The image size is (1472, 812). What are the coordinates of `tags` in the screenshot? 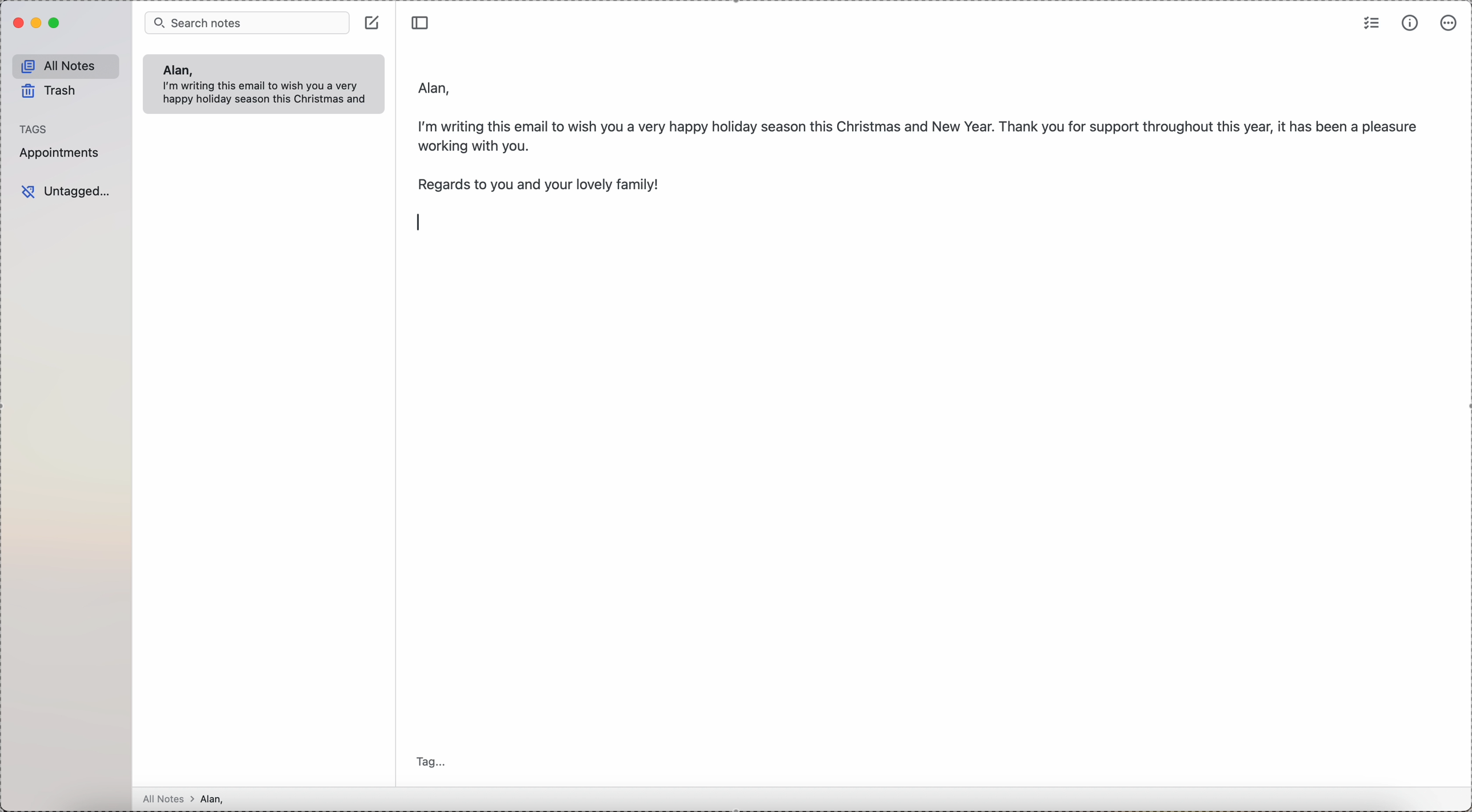 It's located at (34, 129).